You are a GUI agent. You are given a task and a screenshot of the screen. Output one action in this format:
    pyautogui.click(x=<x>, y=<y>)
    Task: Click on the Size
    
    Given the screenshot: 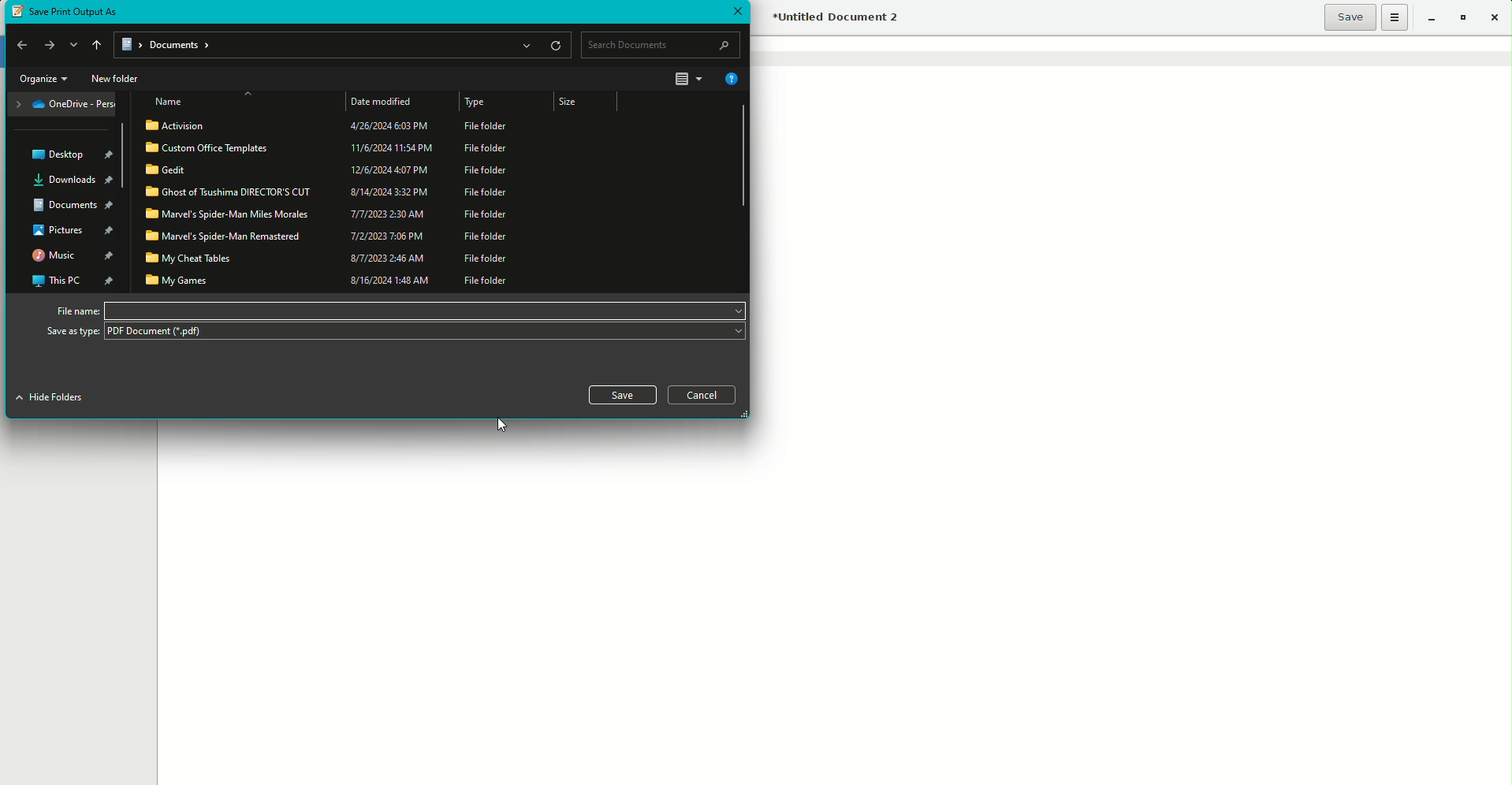 What is the action you would take?
    pyautogui.click(x=579, y=102)
    